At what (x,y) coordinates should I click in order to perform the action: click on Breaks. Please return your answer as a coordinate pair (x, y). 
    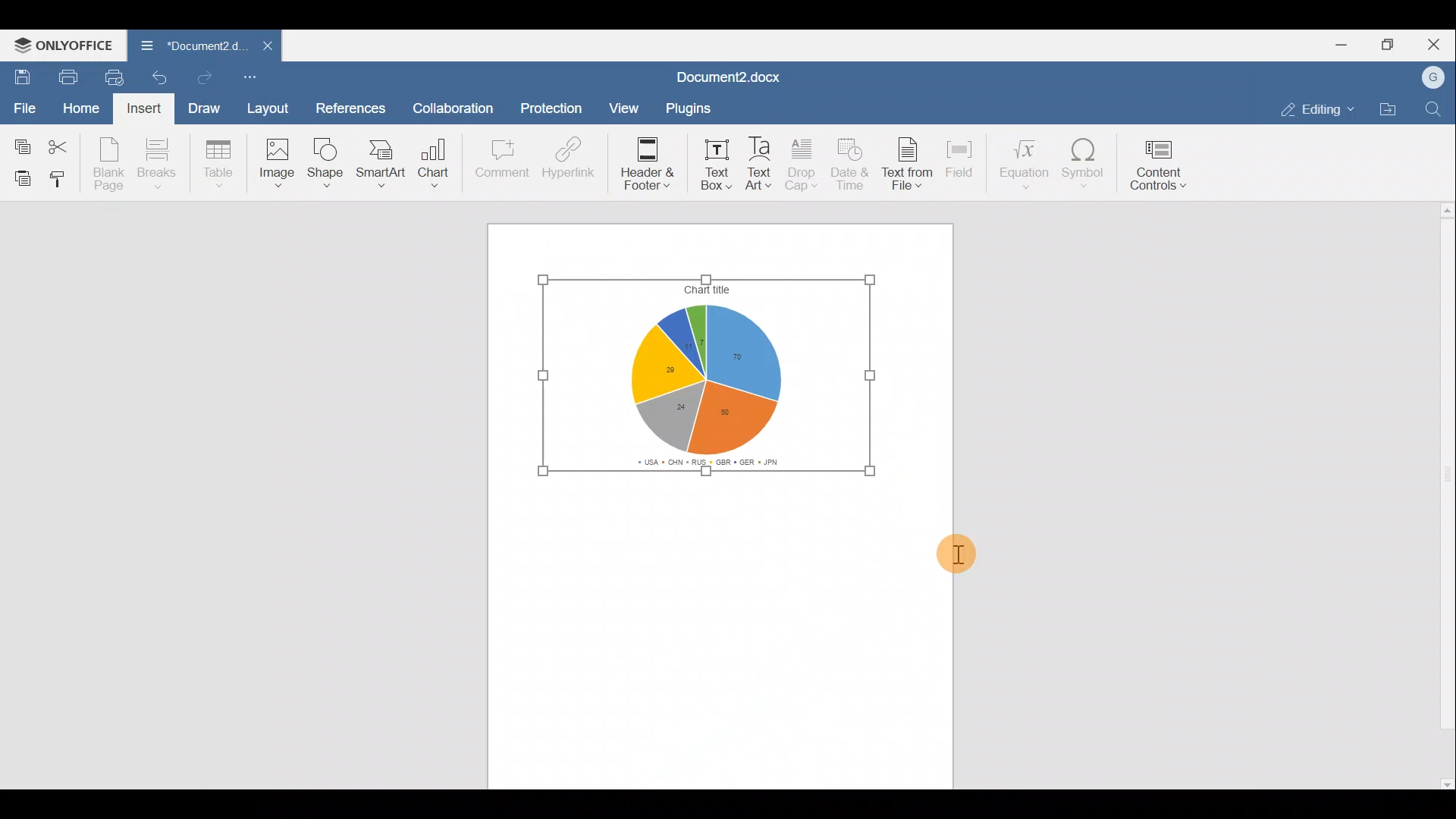
    Looking at the image, I should click on (160, 165).